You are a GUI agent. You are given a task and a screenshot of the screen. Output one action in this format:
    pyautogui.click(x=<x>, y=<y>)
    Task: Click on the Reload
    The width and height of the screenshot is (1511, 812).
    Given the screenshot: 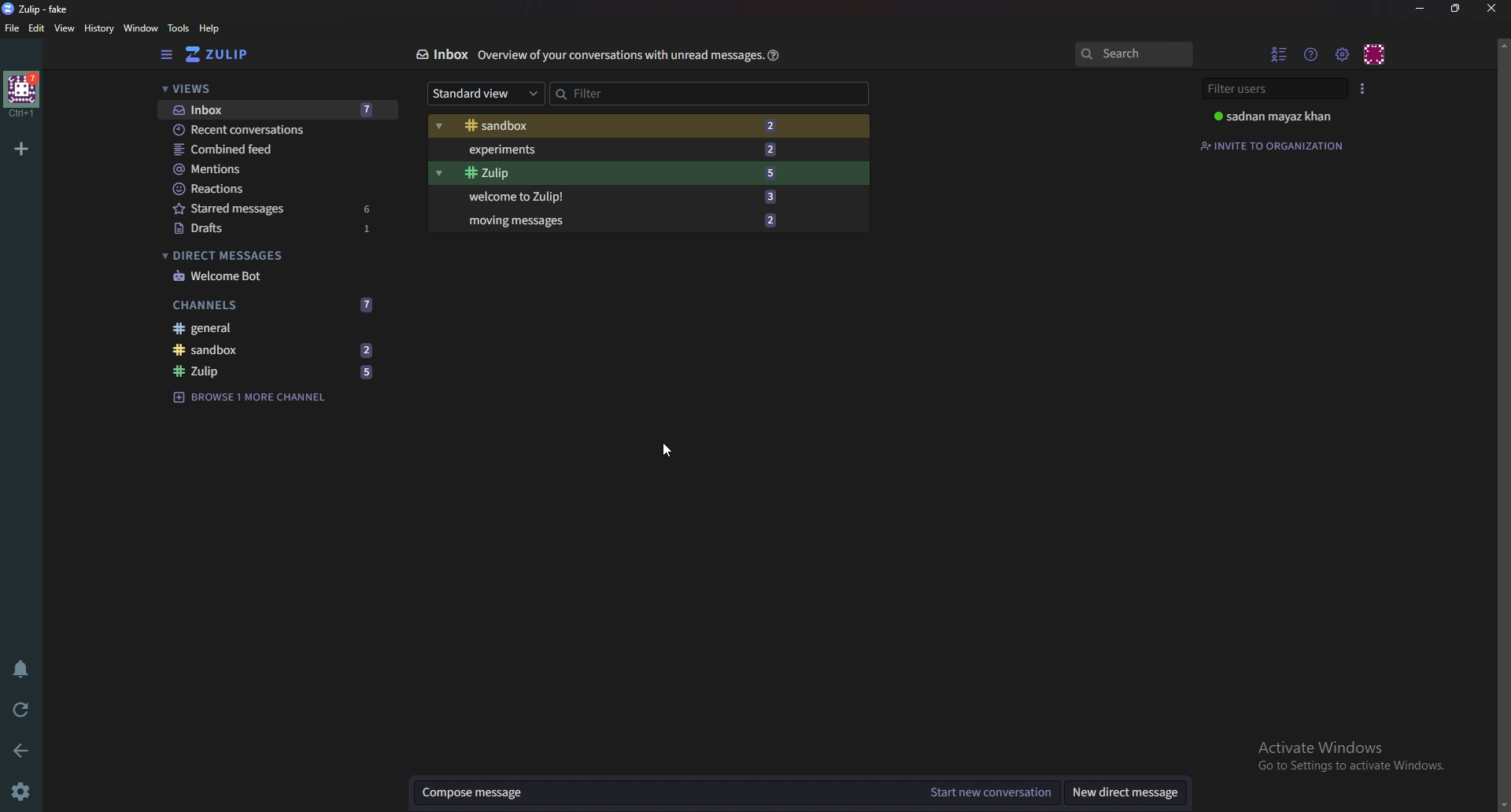 What is the action you would take?
    pyautogui.click(x=20, y=707)
    